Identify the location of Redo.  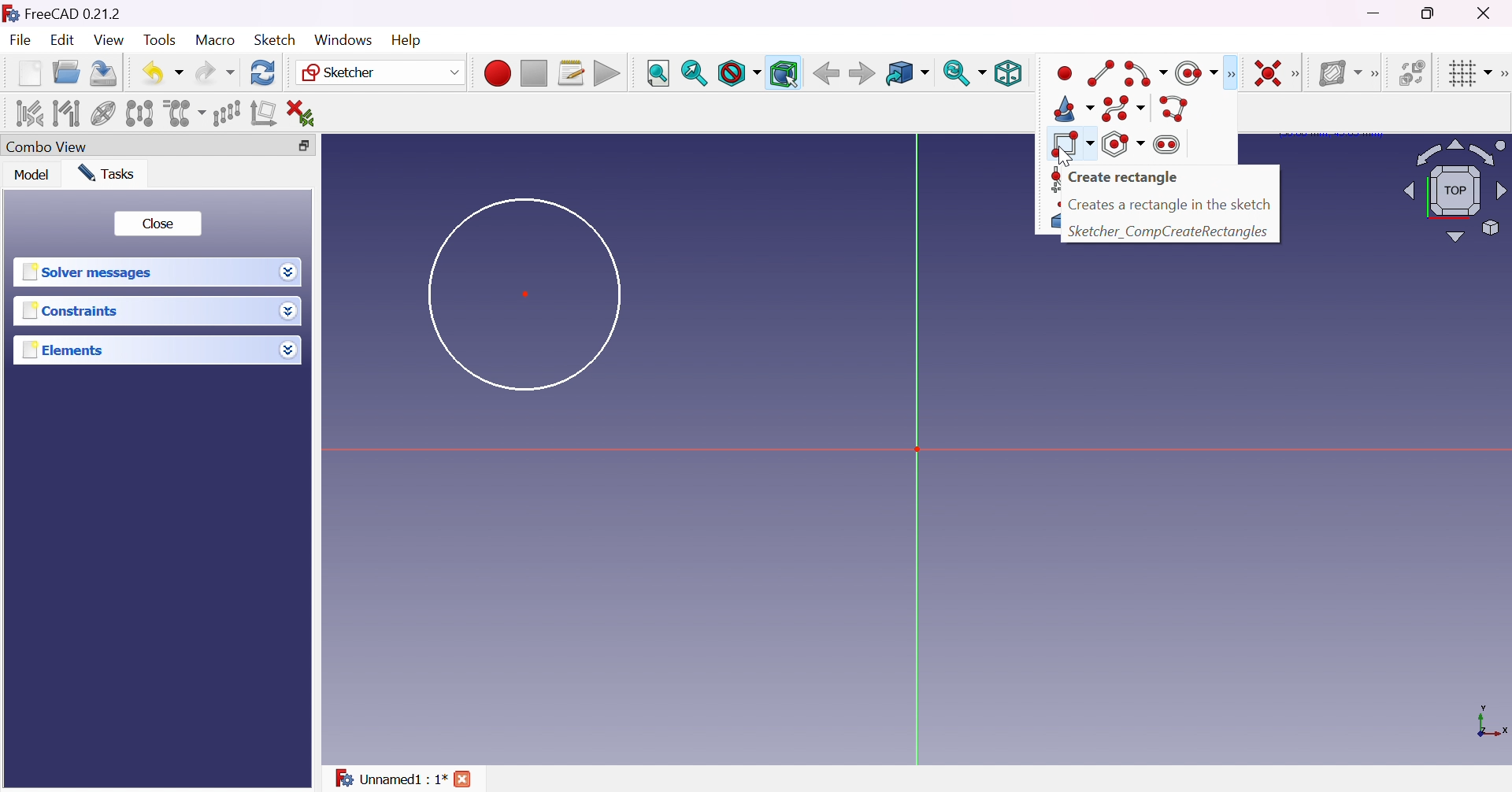
(215, 72).